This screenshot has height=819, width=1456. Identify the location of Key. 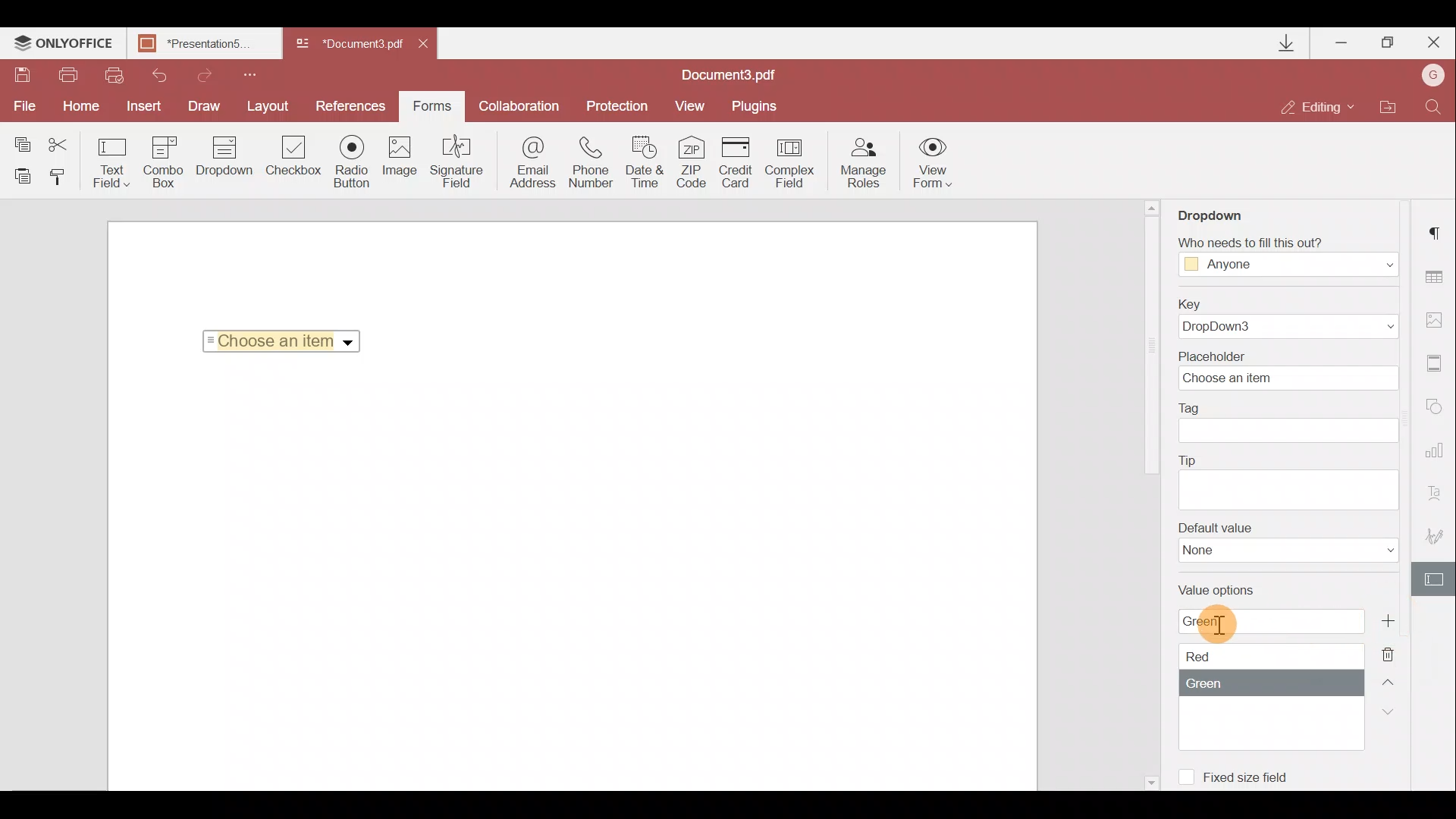
(1292, 317).